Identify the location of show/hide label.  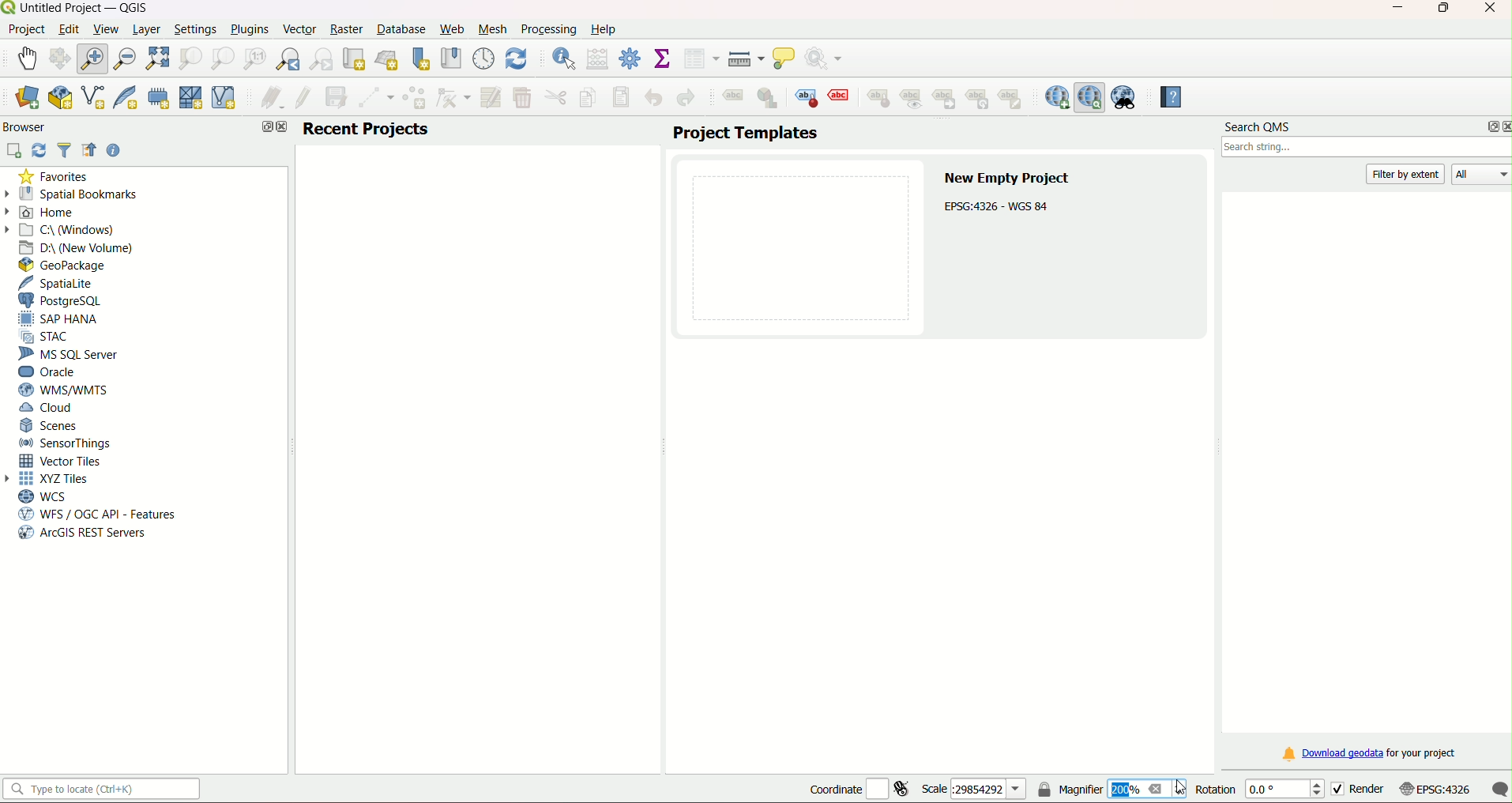
(913, 100).